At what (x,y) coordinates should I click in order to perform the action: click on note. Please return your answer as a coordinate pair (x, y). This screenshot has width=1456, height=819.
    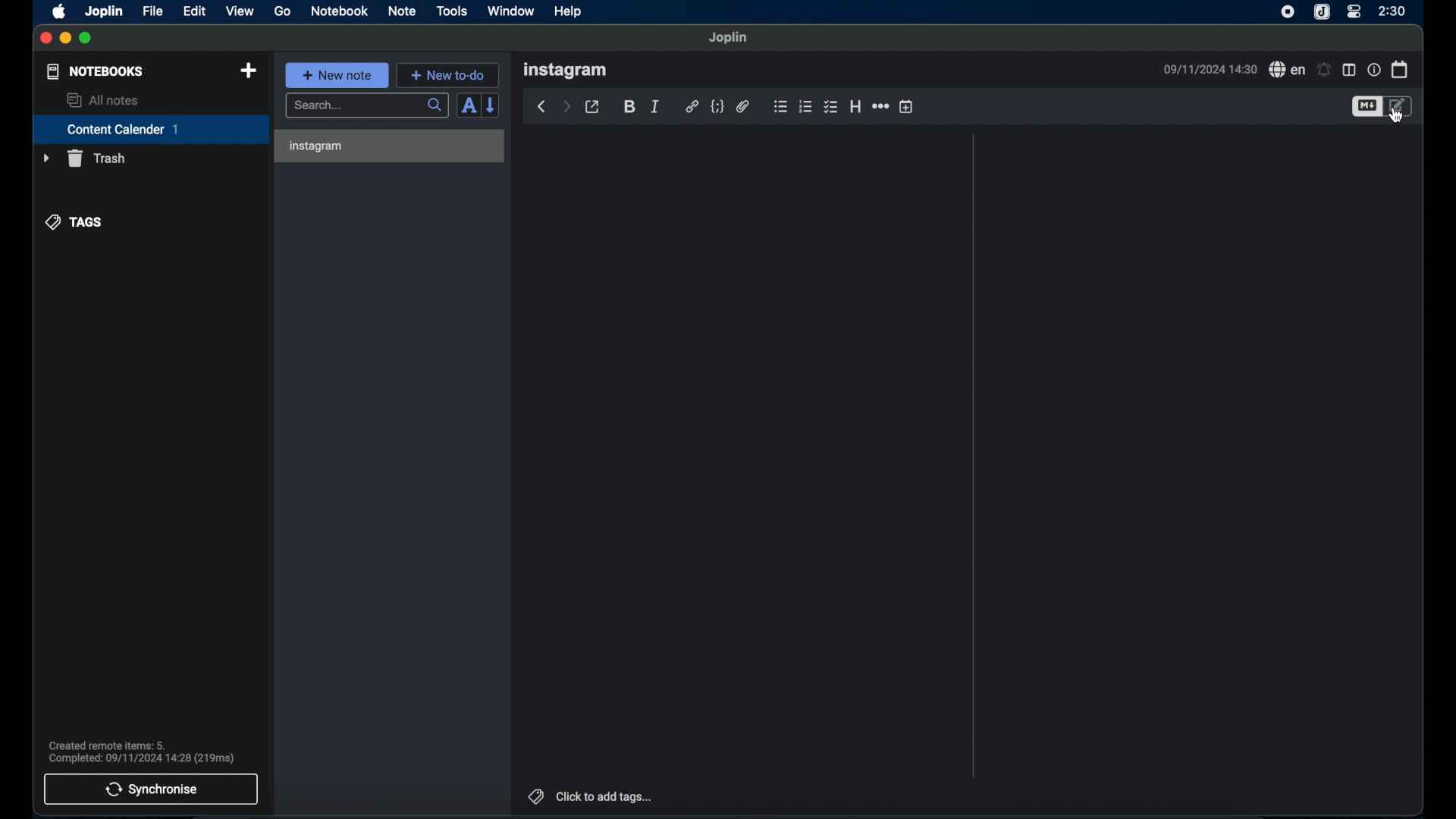
    Looking at the image, I should click on (402, 12).